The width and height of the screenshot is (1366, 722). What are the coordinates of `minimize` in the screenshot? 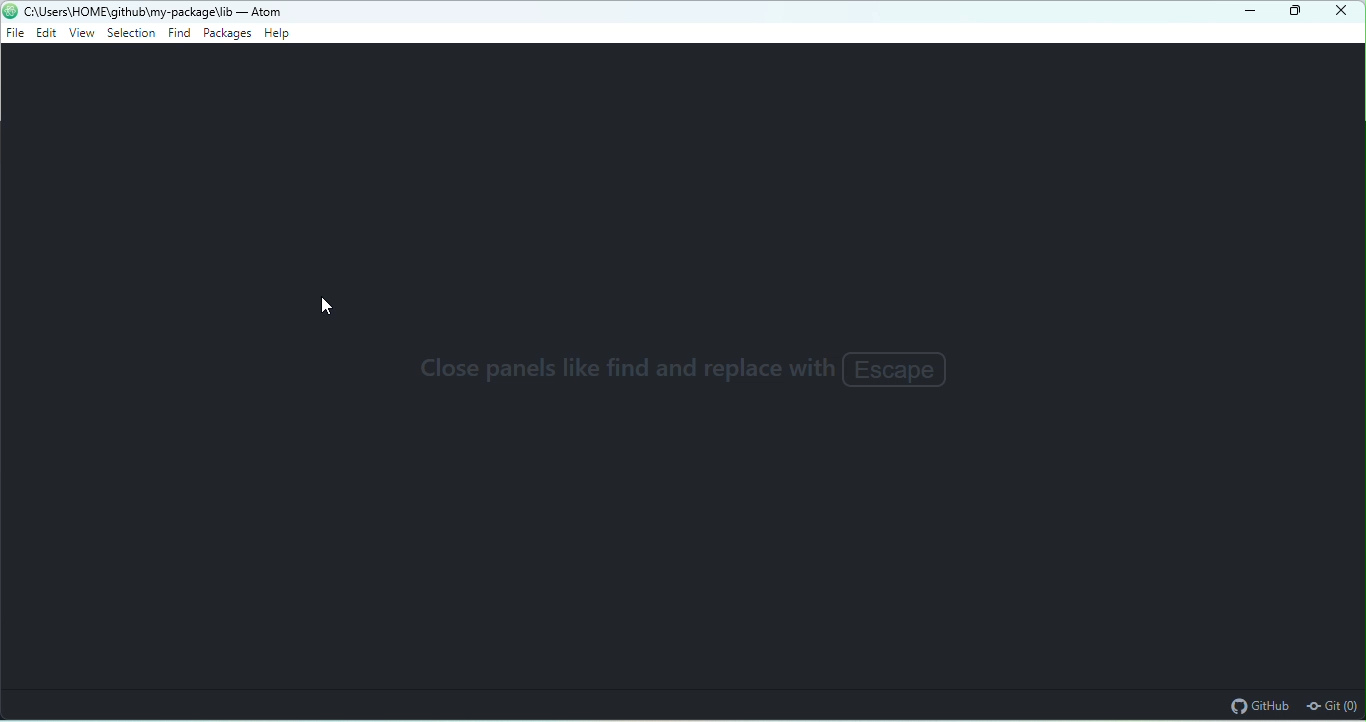 It's located at (1245, 13).